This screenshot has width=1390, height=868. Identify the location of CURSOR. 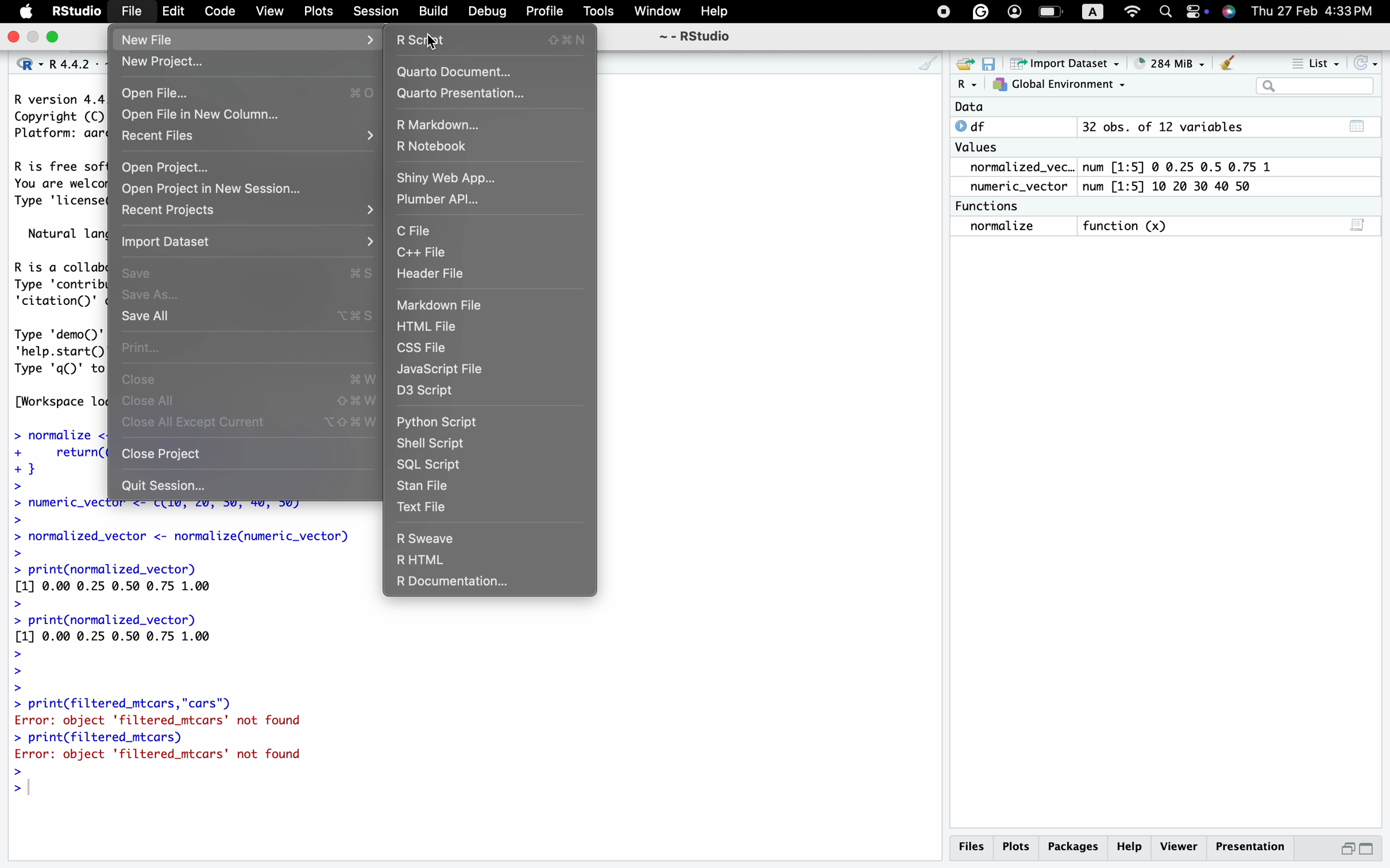
(433, 42).